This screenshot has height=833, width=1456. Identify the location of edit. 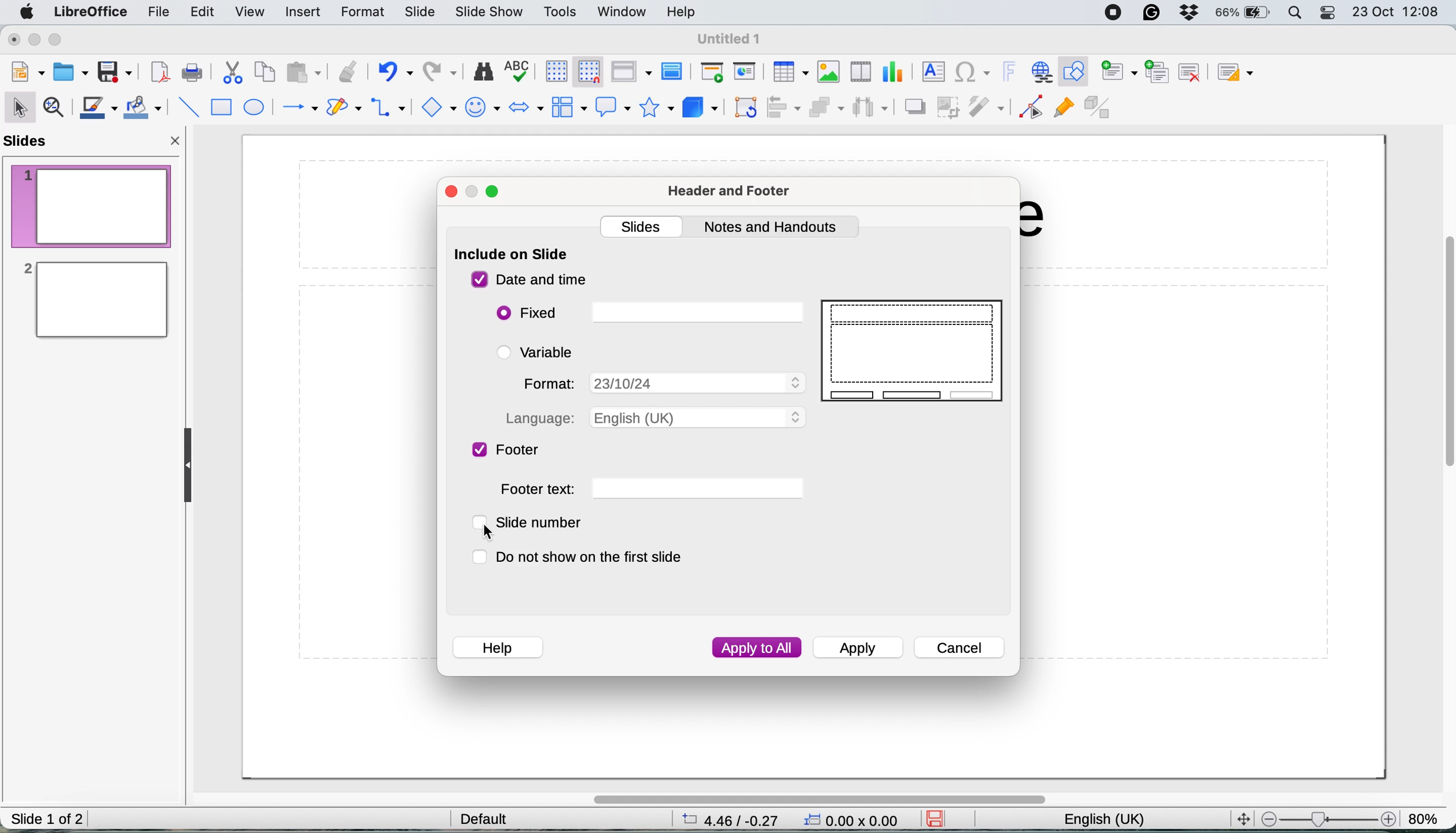
(206, 14).